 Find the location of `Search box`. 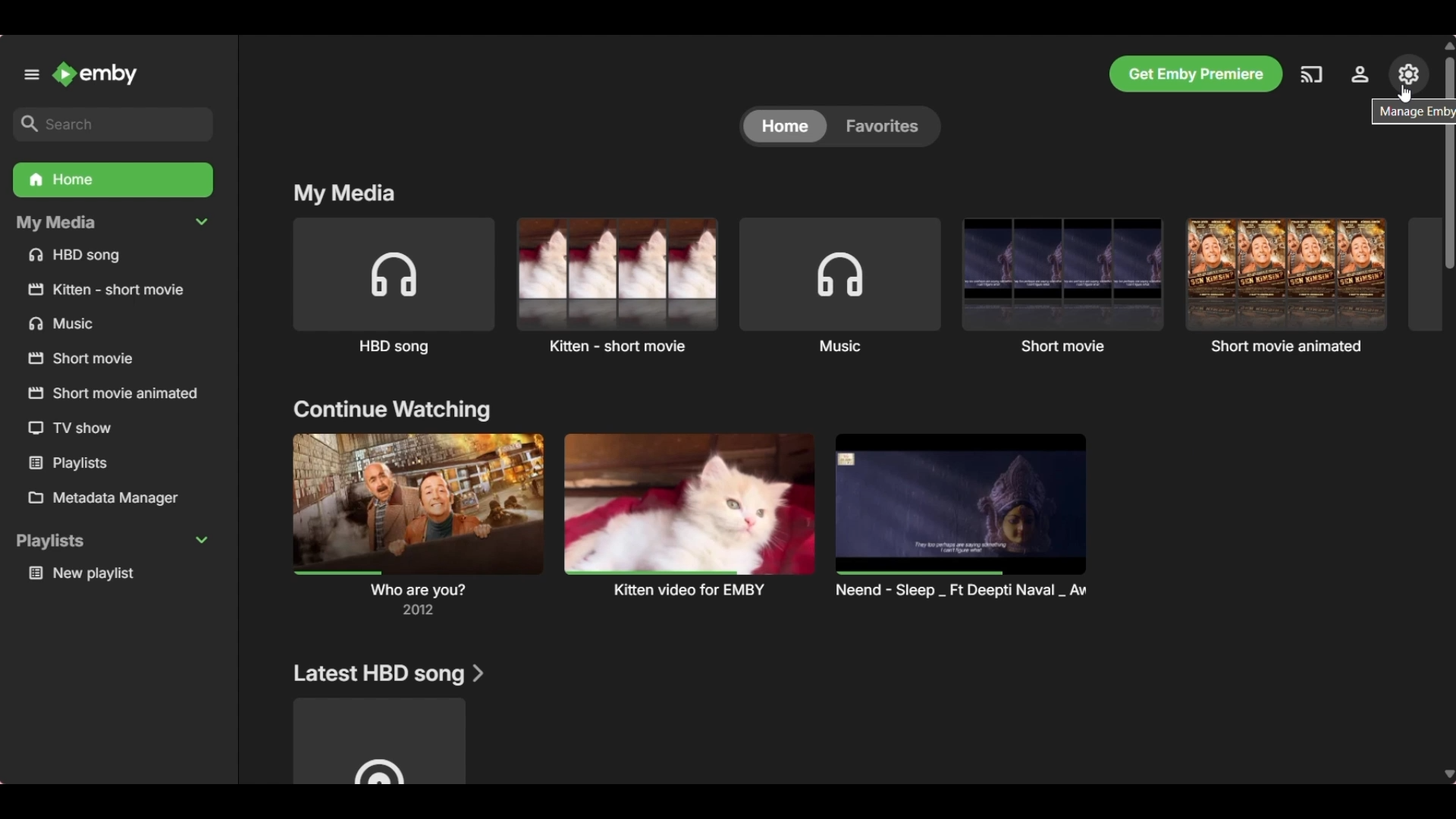

Search box is located at coordinates (114, 124).